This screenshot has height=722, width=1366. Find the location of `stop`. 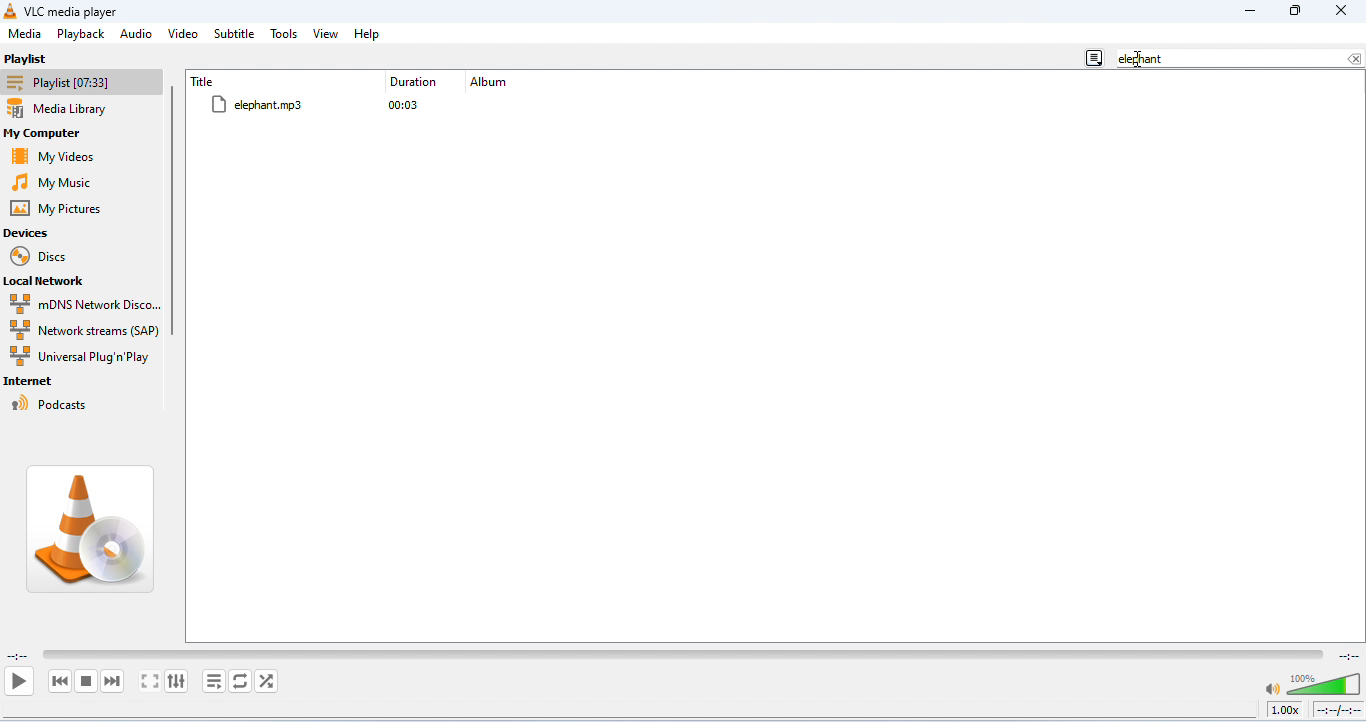

stop is located at coordinates (86, 681).